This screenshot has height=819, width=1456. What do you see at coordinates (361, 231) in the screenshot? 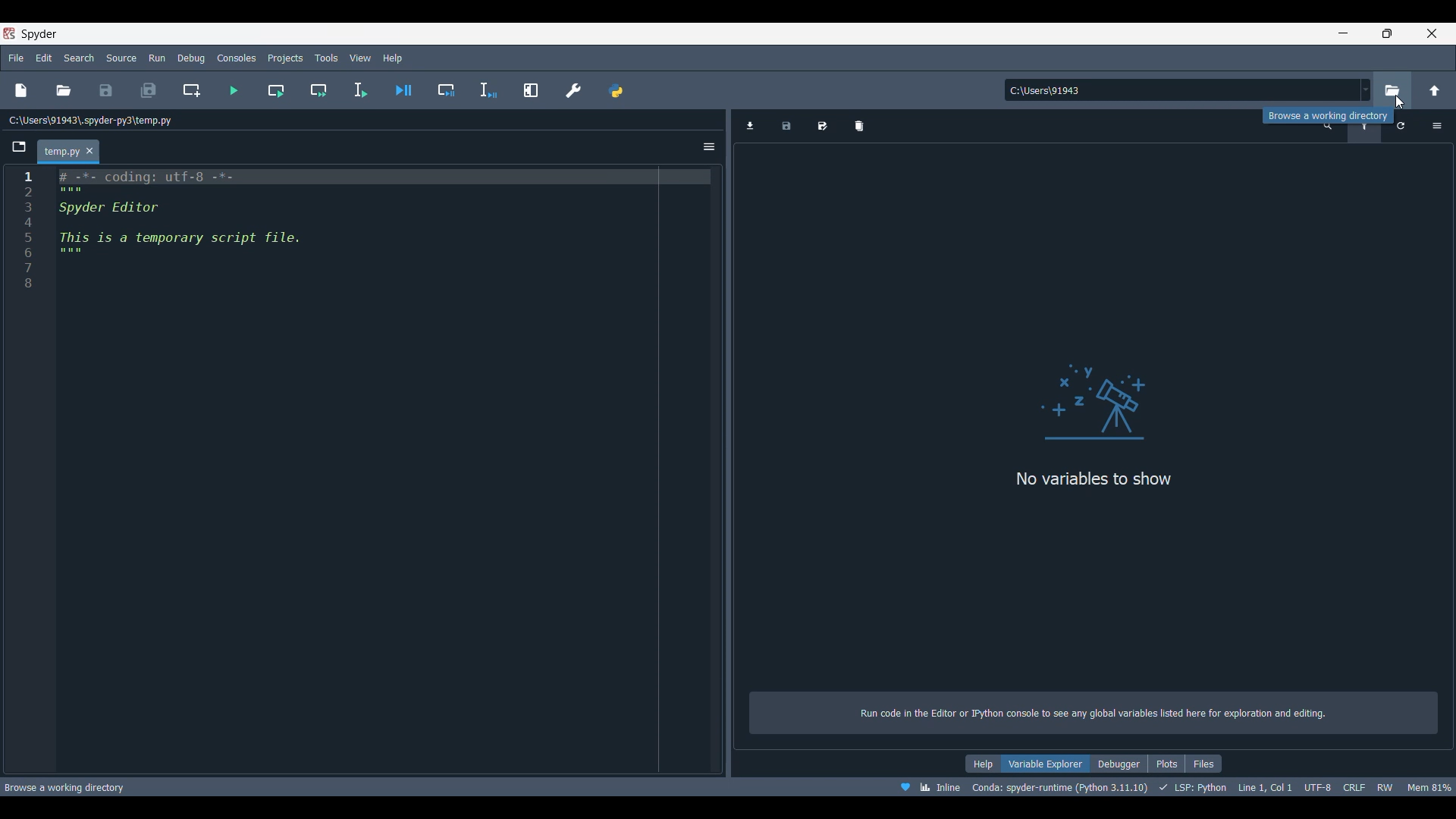
I see `Current code` at bounding box center [361, 231].